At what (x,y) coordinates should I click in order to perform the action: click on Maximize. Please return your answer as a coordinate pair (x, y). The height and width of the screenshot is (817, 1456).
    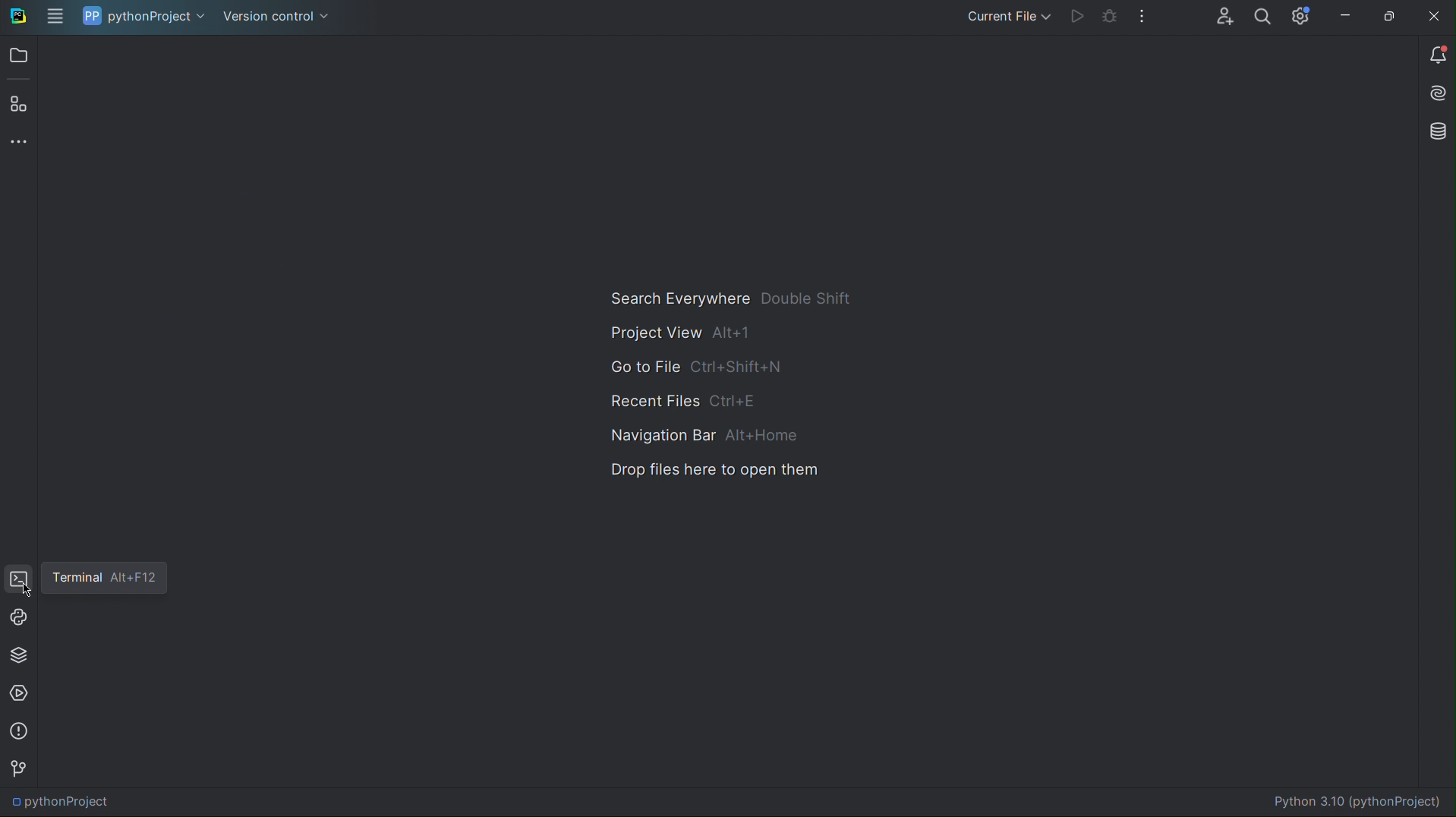
    Looking at the image, I should click on (1389, 17).